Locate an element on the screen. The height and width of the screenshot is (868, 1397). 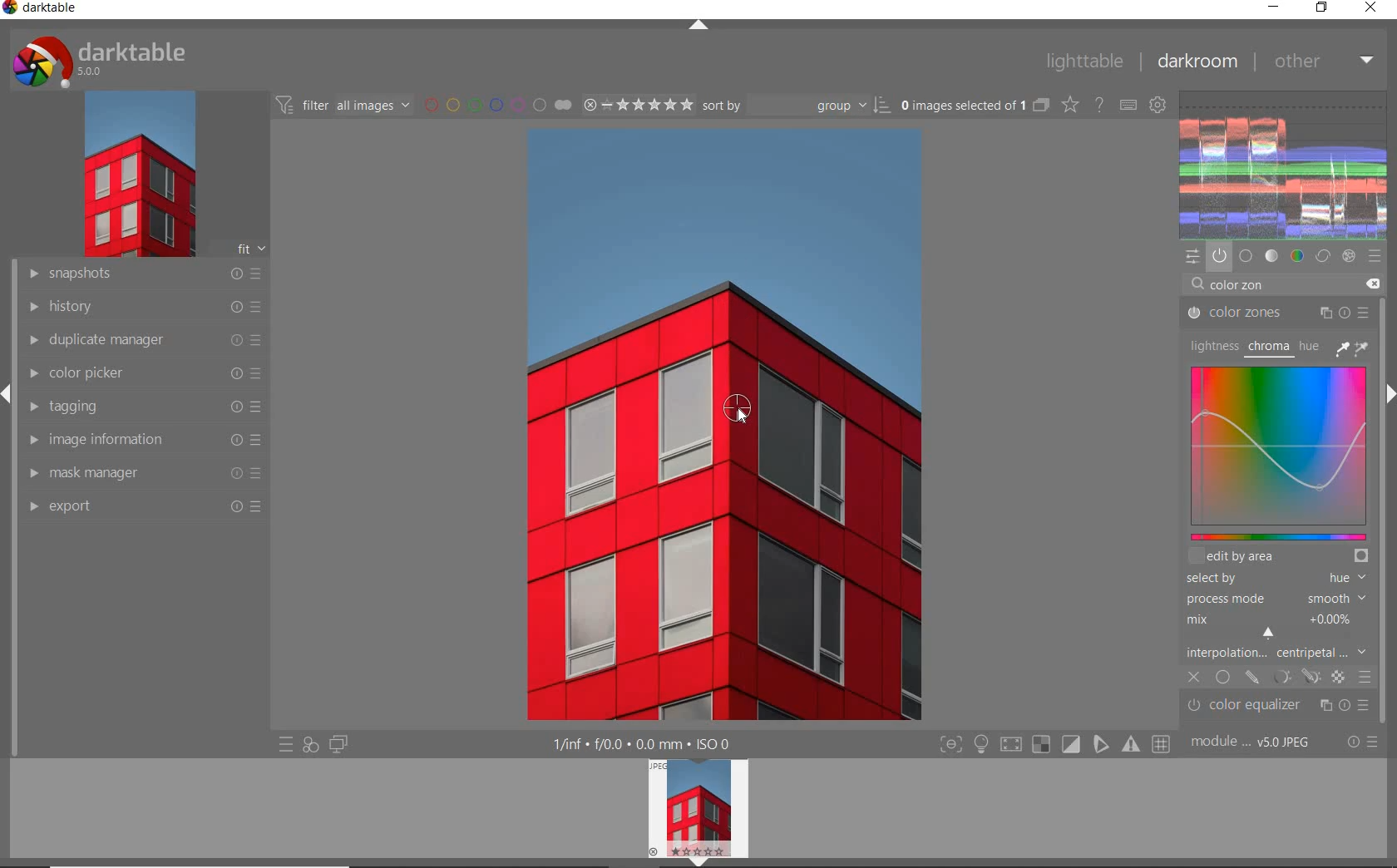
reset or presets & preferences is located at coordinates (1362, 743).